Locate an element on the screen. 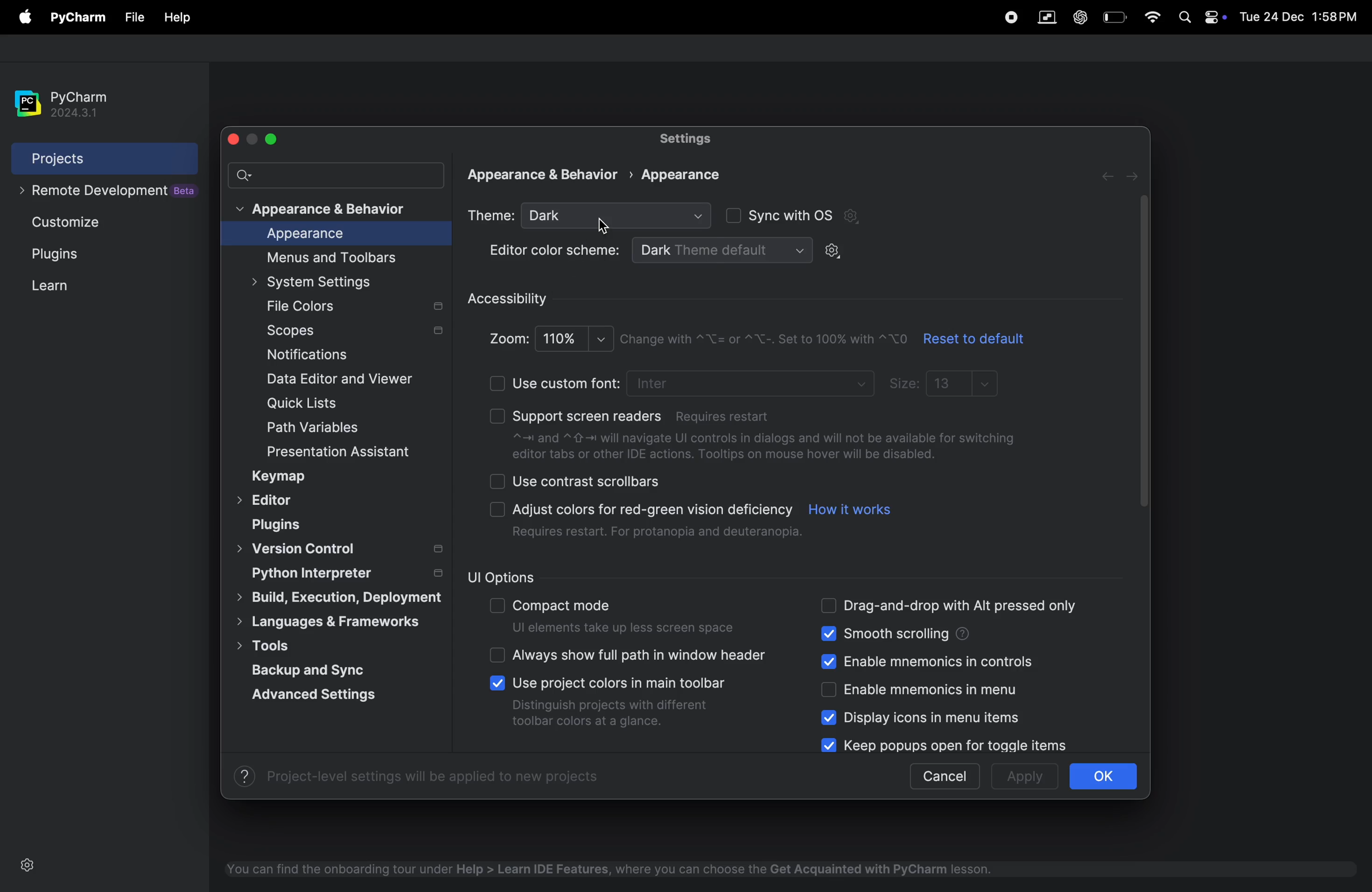 This screenshot has height=892, width=1372. projects is located at coordinates (89, 158).